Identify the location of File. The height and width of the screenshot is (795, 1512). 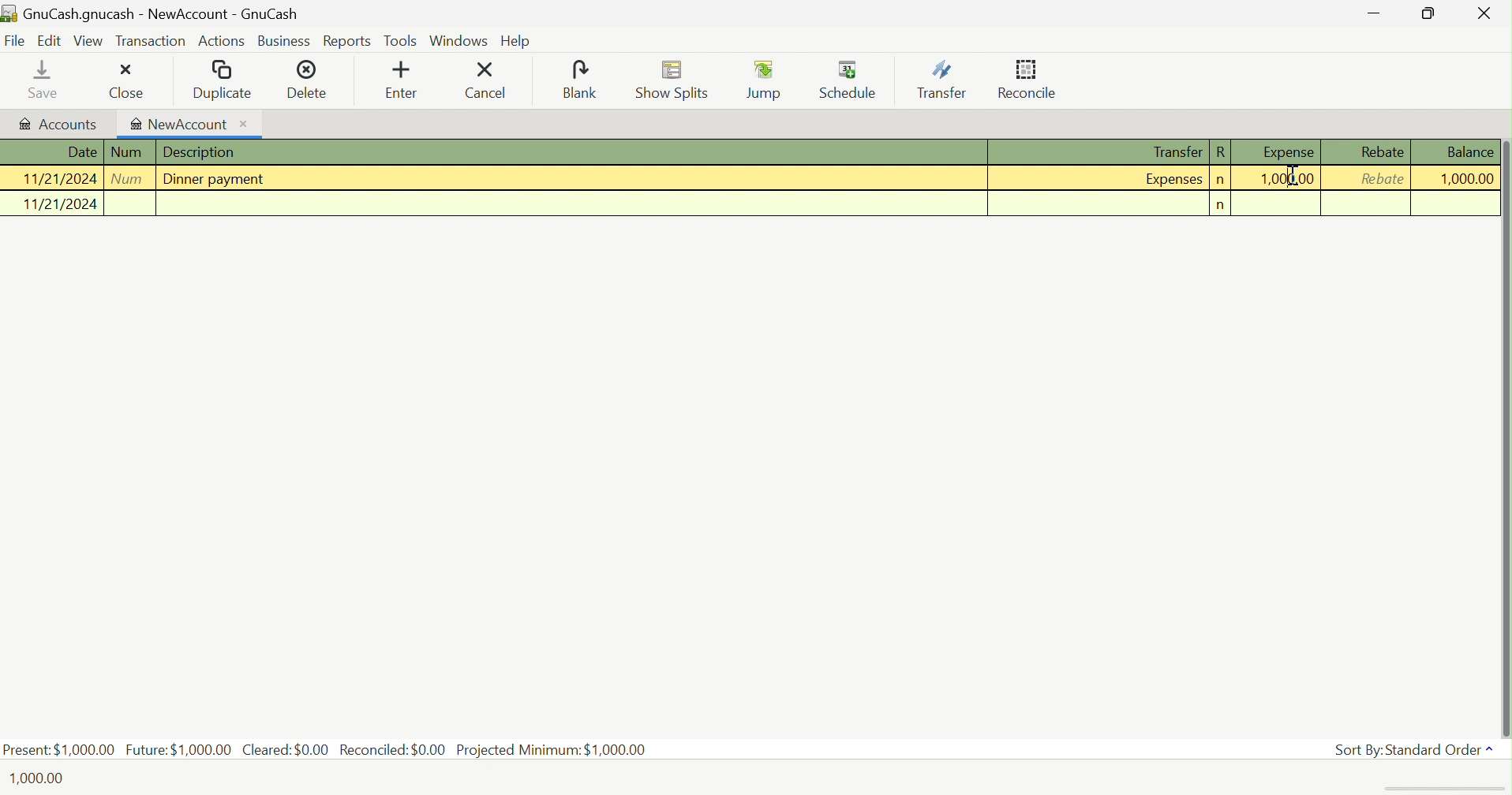
(15, 41).